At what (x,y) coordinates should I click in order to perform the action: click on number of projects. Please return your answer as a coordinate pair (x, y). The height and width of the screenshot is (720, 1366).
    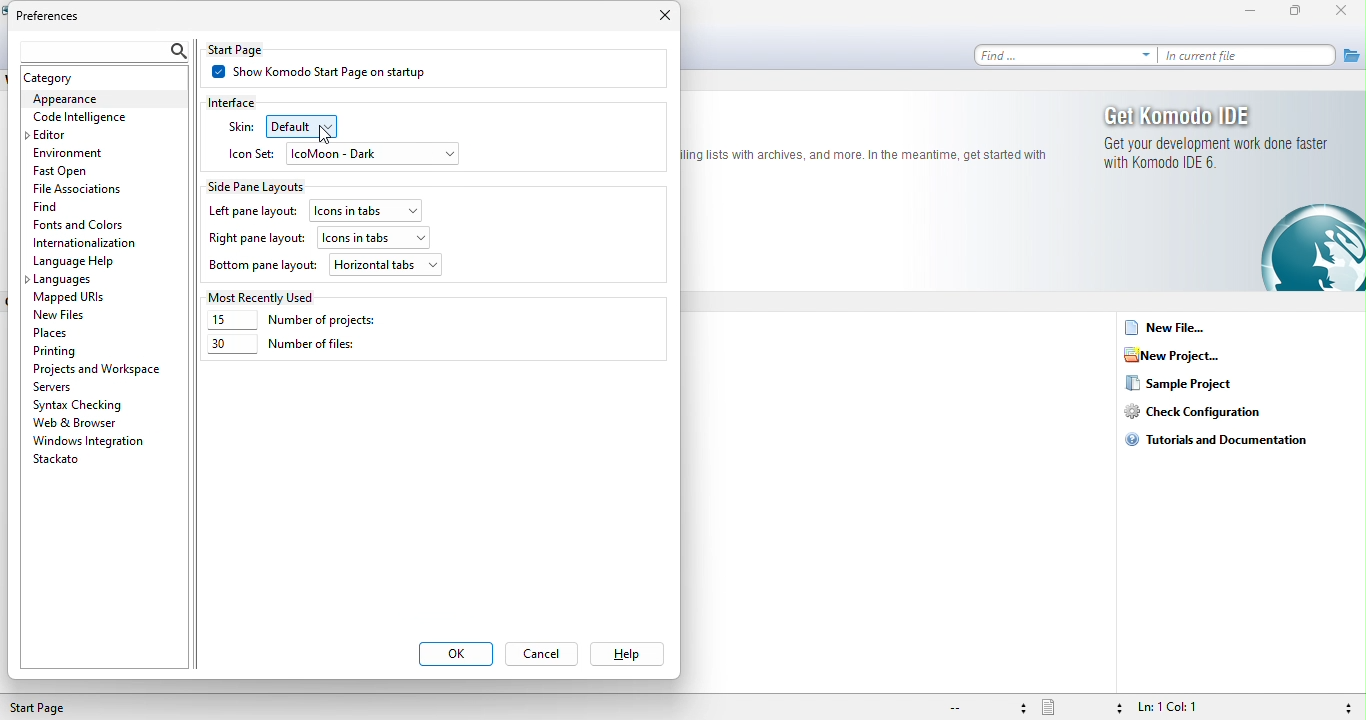
    Looking at the image, I should click on (307, 321).